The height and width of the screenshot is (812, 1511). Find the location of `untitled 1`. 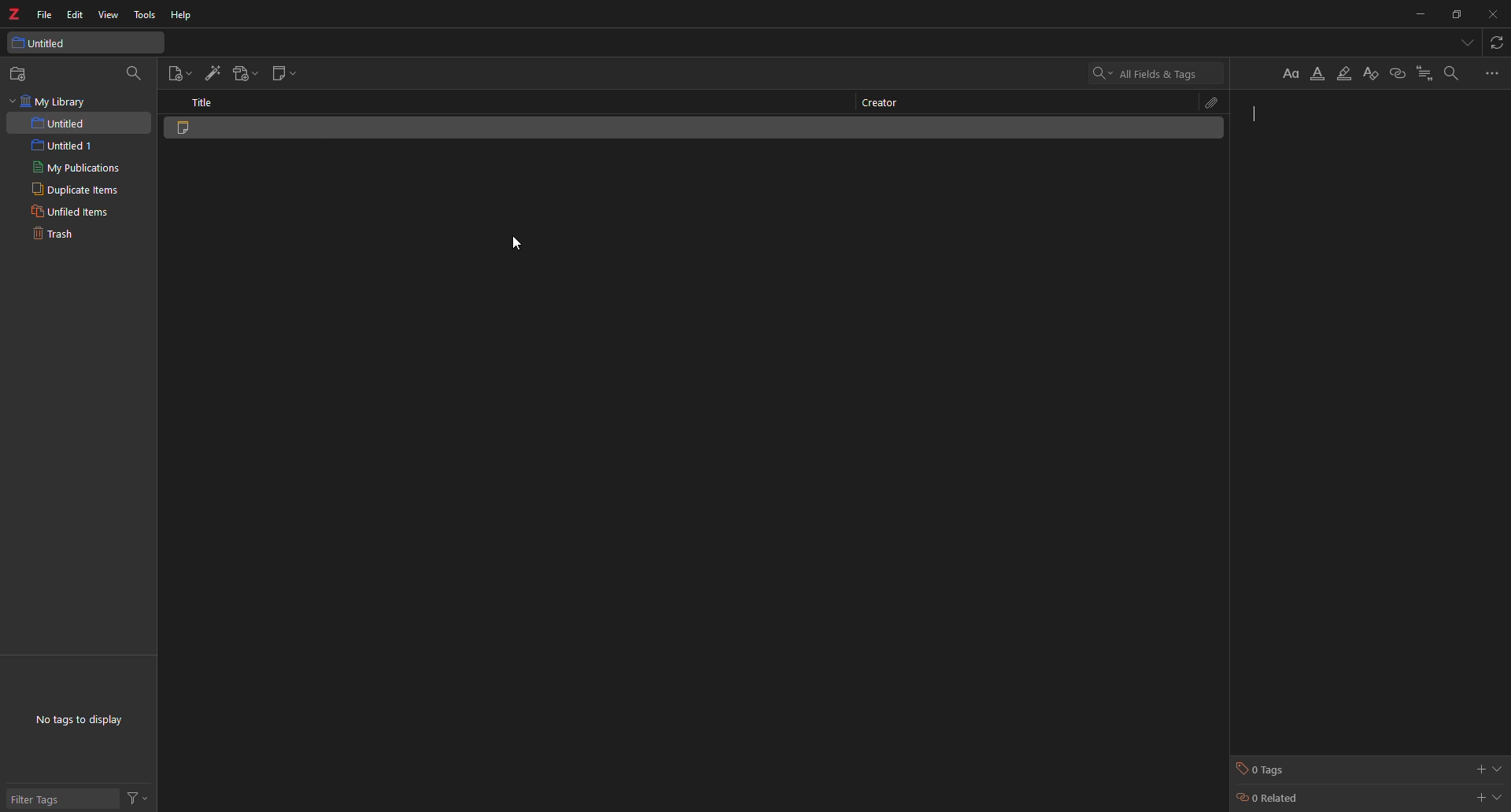

untitled 1 is located at coordinates (71, 145).